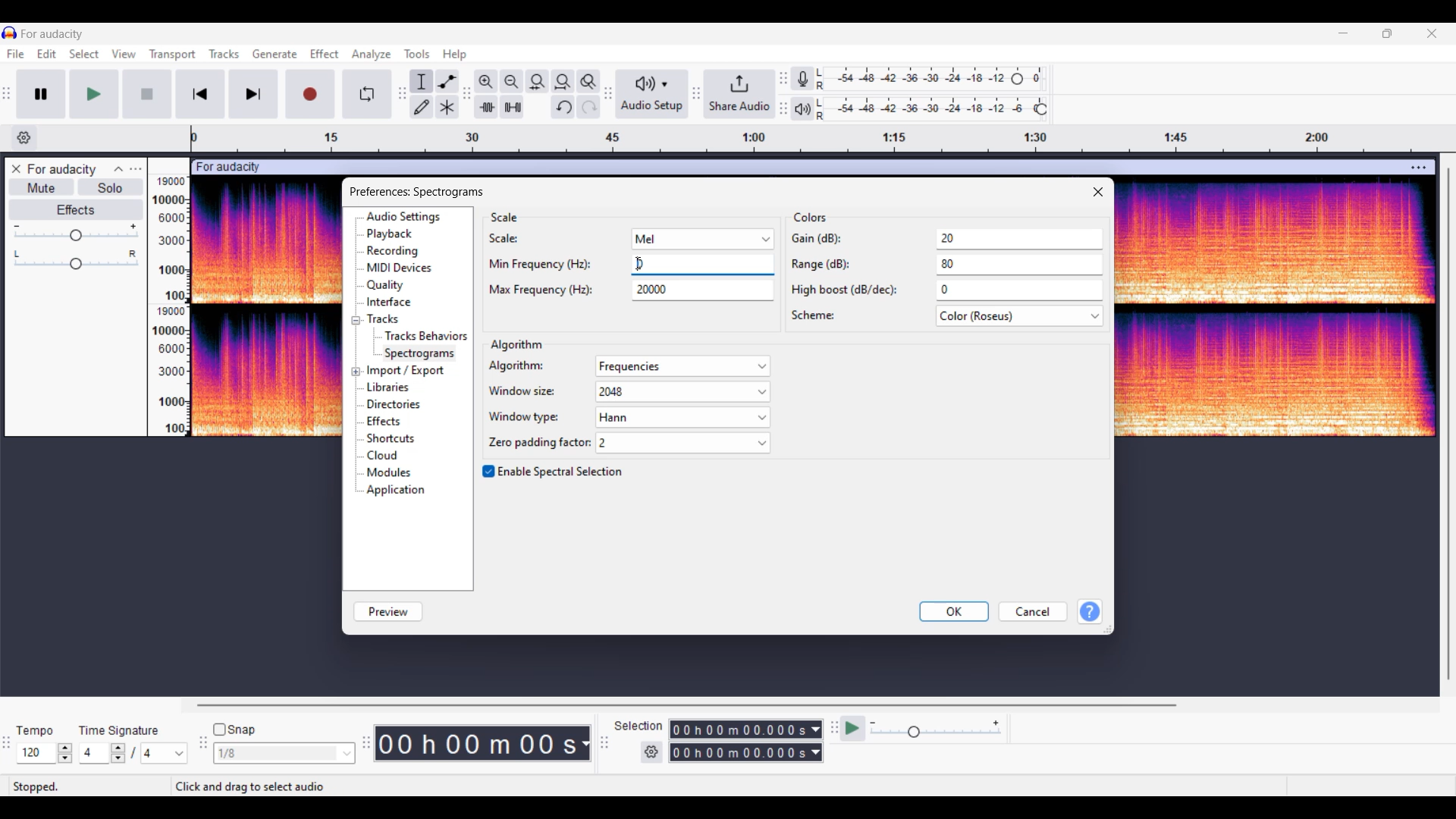 The height and width of the screenshot is (819, 1456). I want to click on Section title, so click(811, 217).